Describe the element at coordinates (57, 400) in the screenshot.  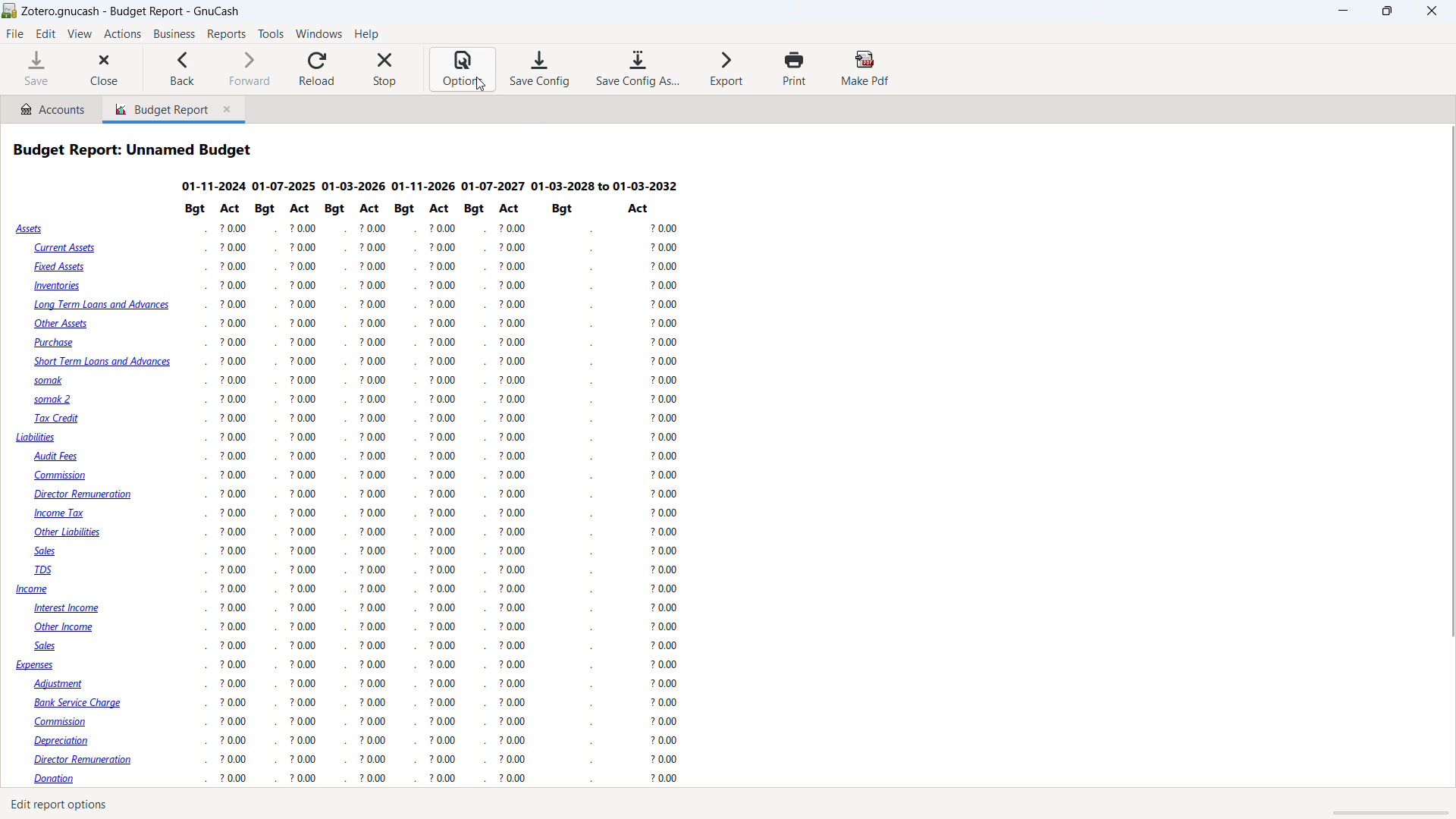
I see `somak 2` at that location.